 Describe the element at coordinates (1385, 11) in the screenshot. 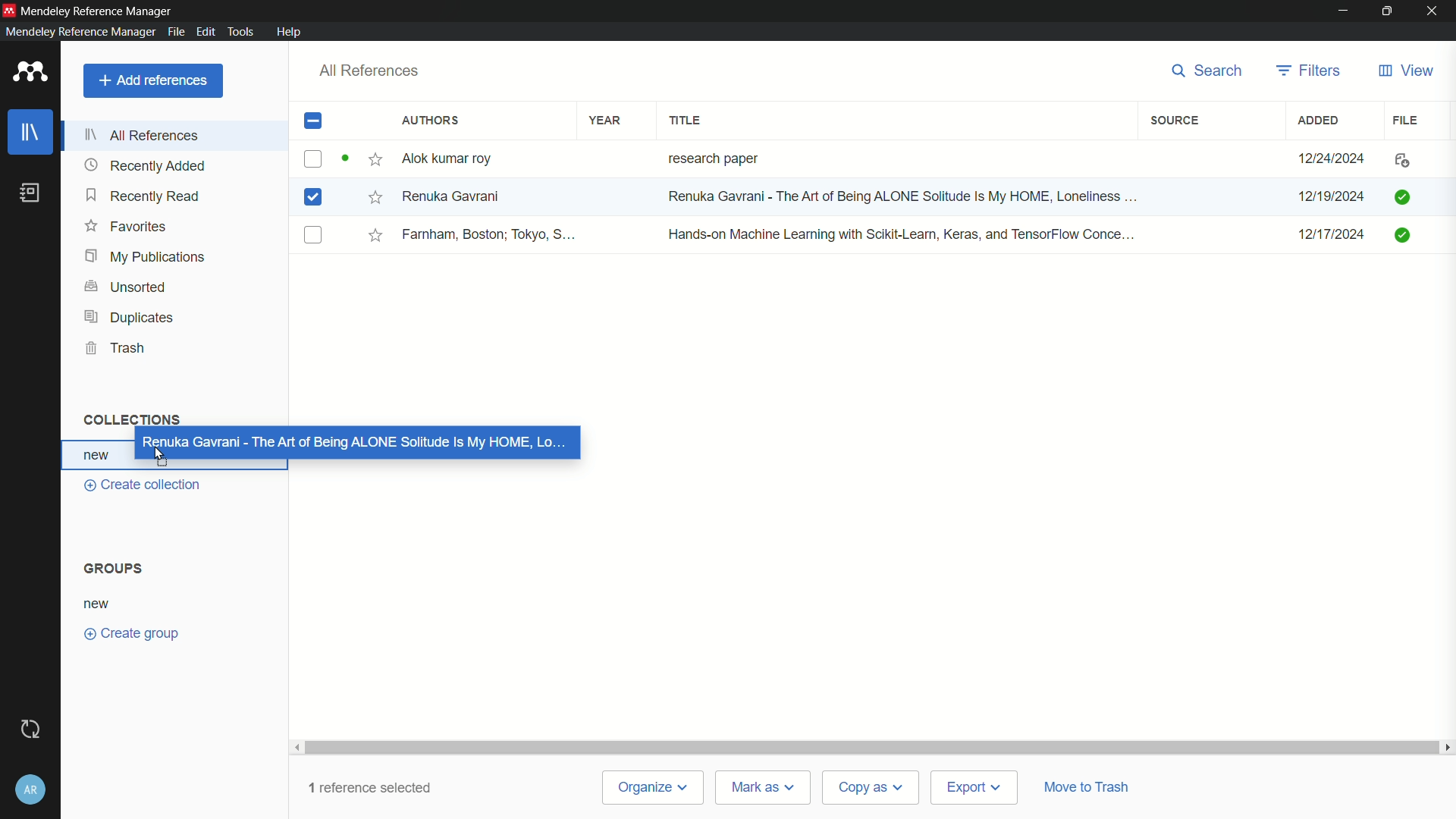

I see `maximize` at that location.